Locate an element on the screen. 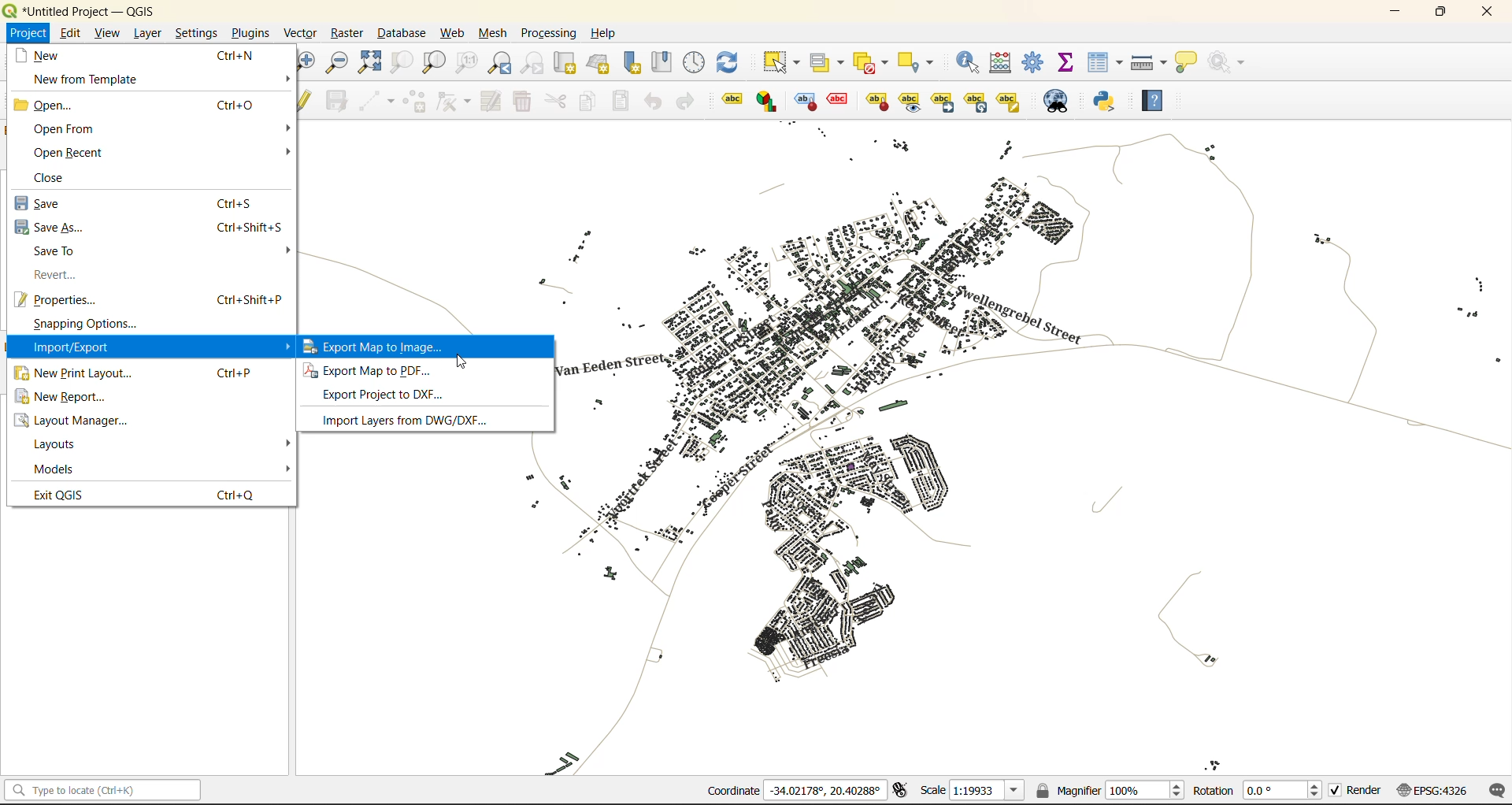  save is located at coordinates (49, 204).